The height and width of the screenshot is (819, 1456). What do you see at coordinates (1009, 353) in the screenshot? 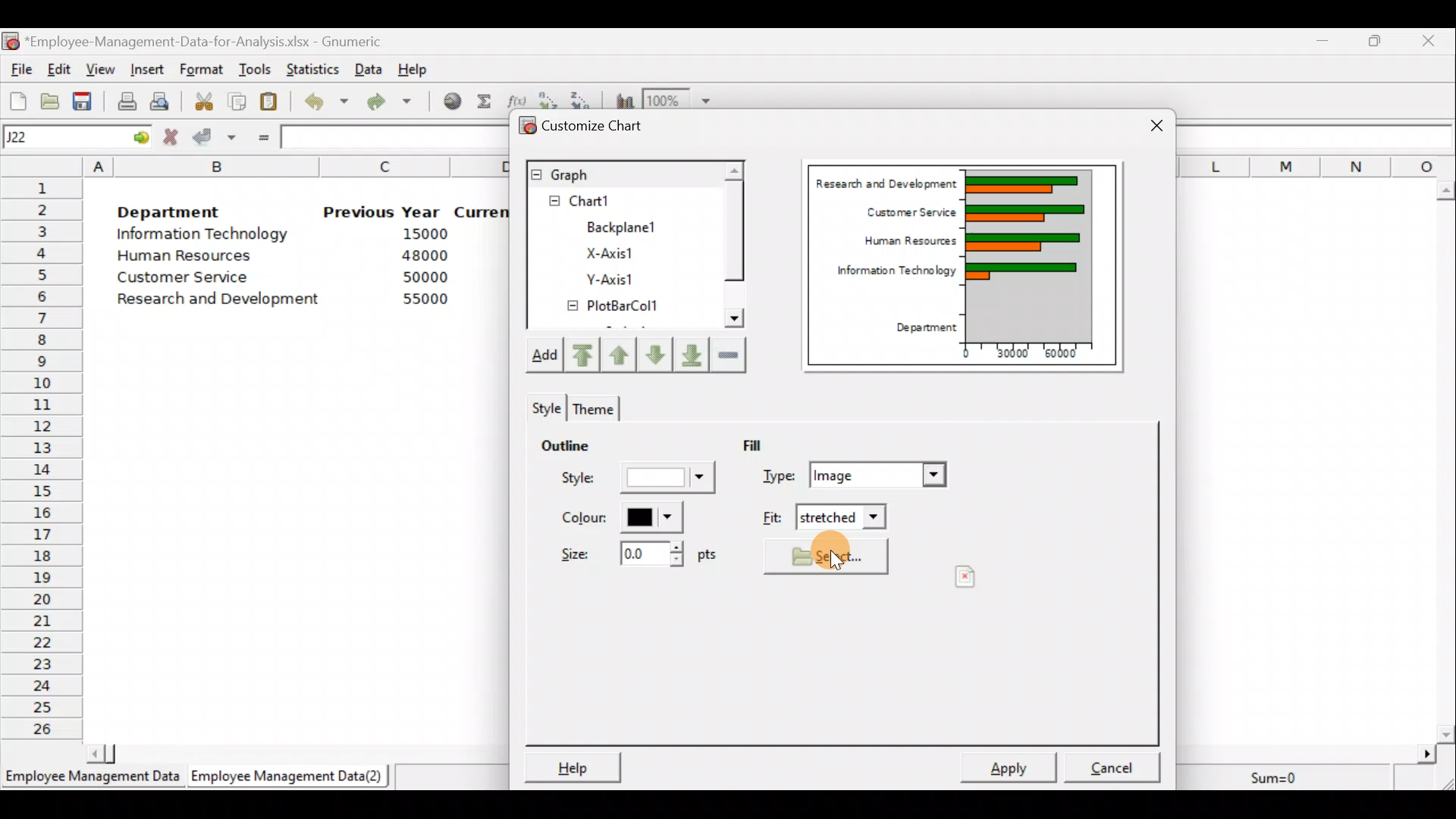
I see `30000` at bounding box center [1009, 353].